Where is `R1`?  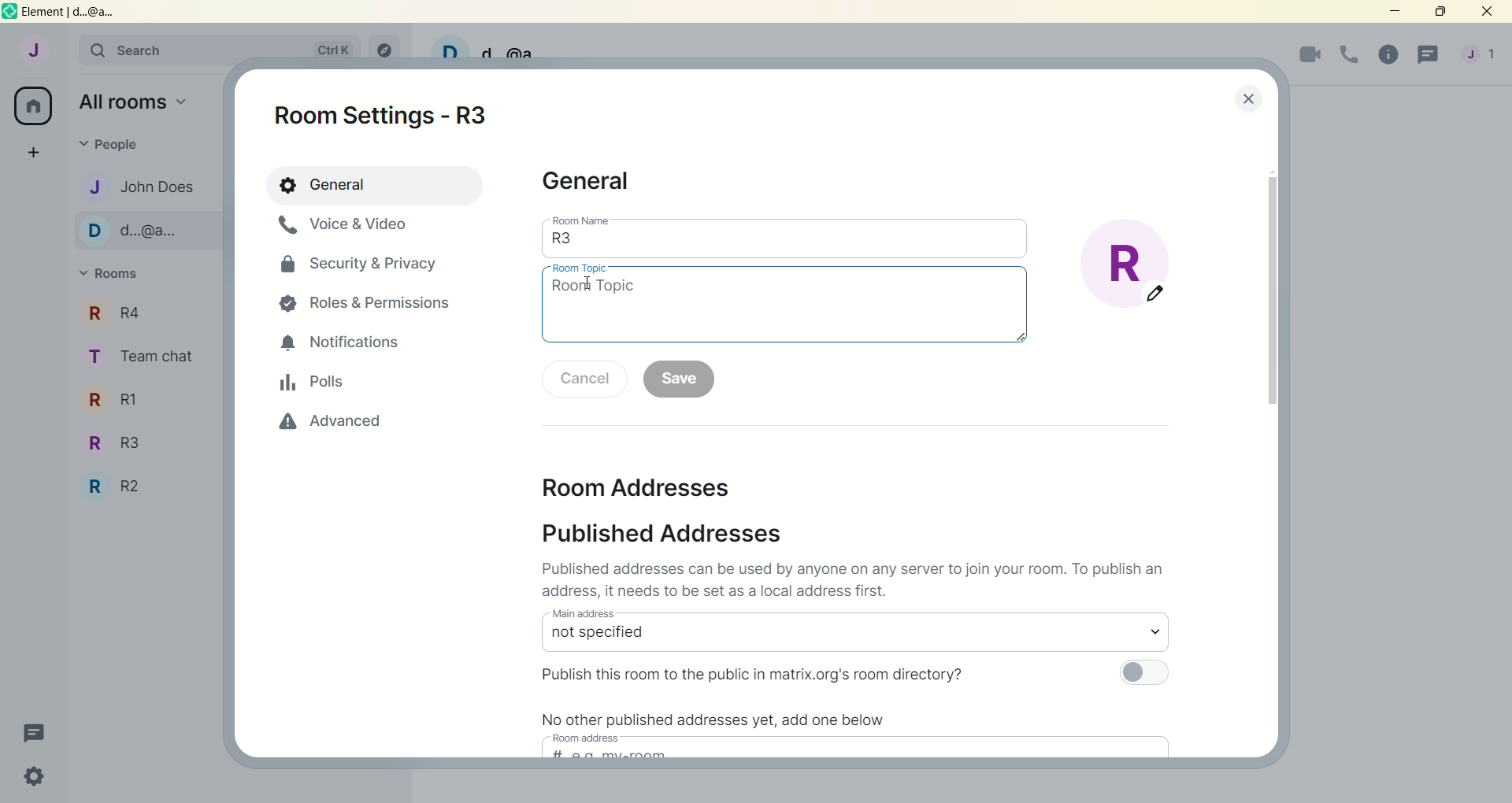
R1 is located at coordinates (140, 398).